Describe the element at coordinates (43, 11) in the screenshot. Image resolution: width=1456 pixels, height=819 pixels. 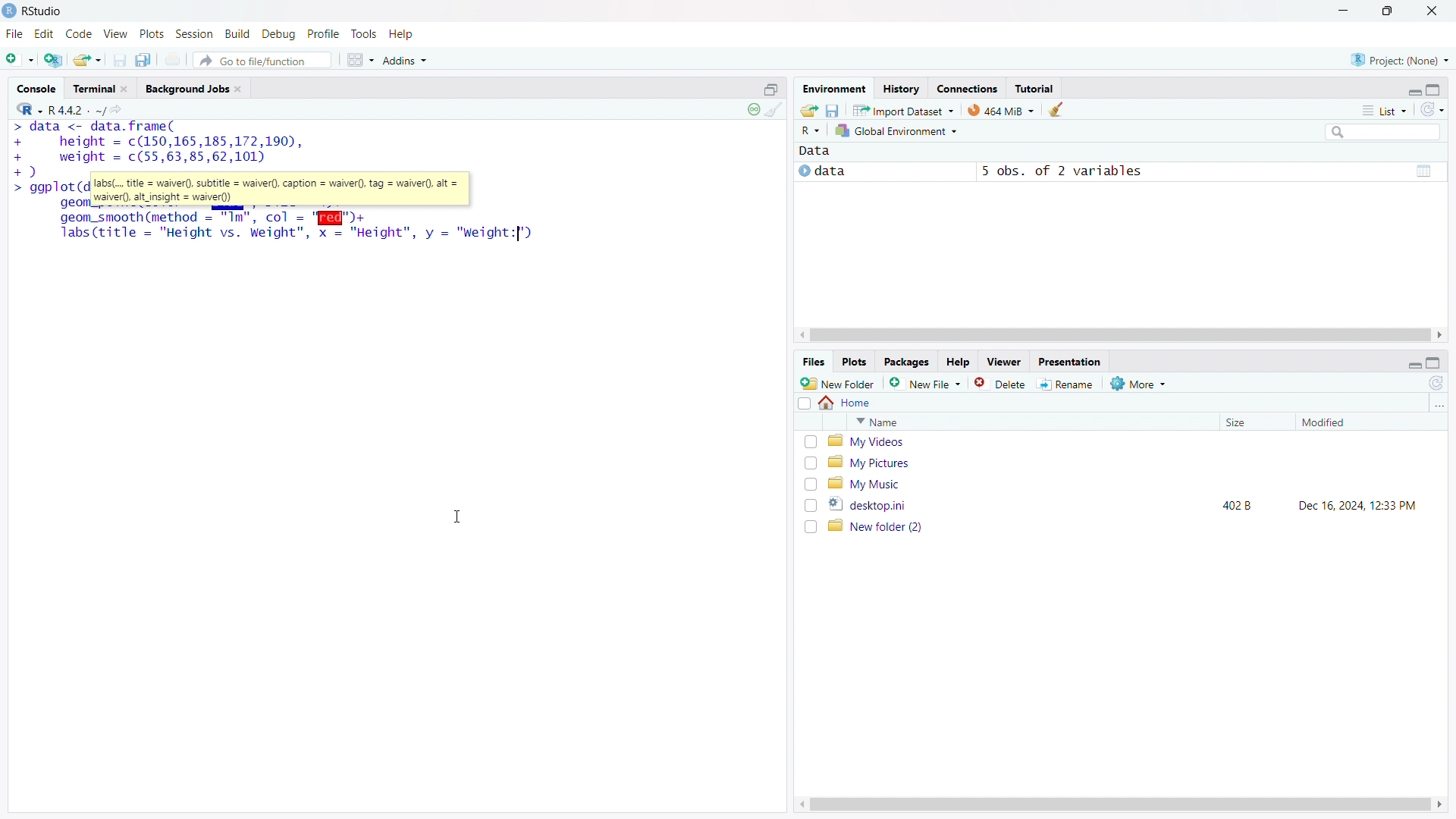
I see `rstudio` at that location.